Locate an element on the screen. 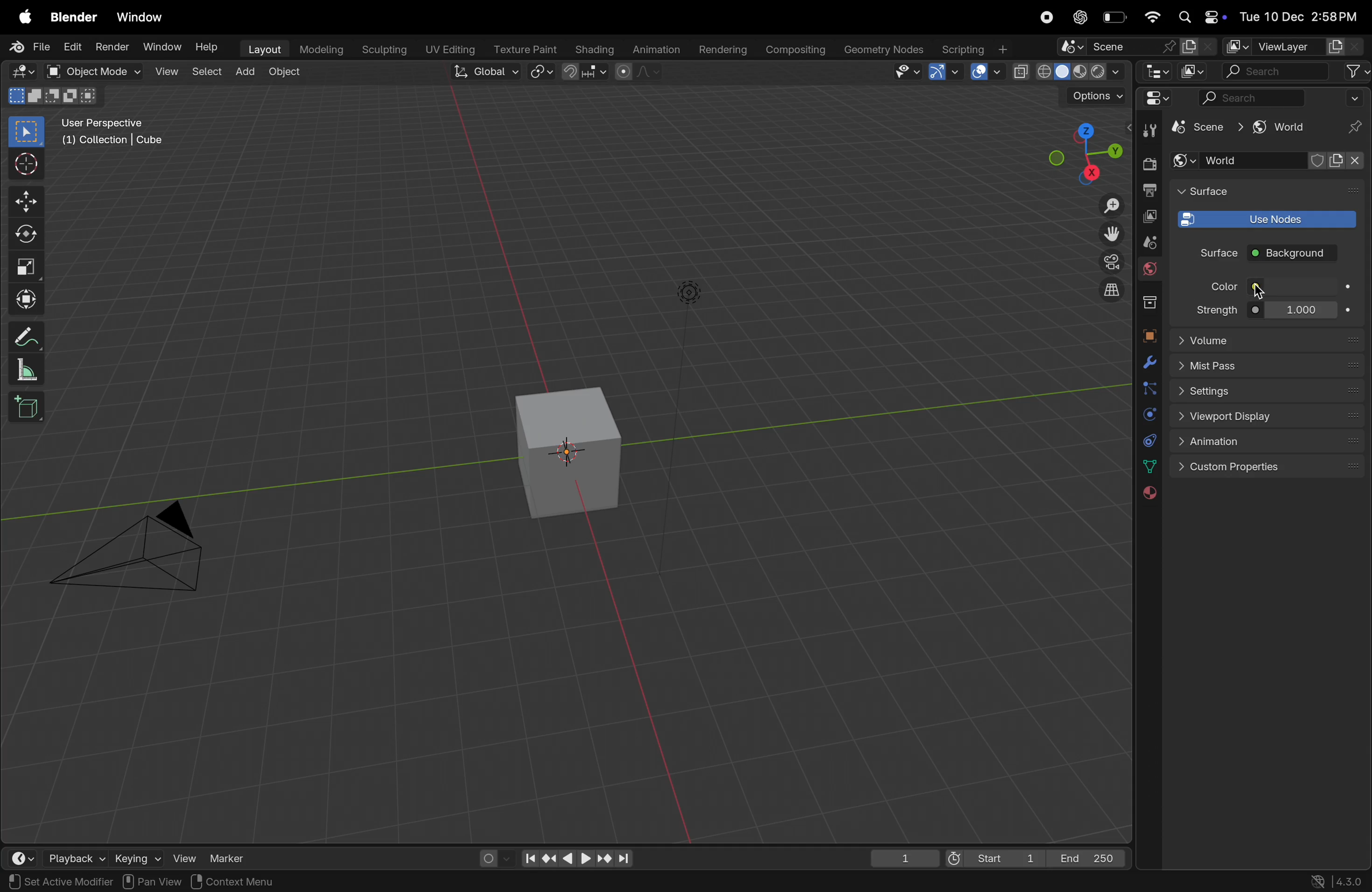 The height and width of the screenshot is (892, 1372). Transform is located at coordinates (28, 299).